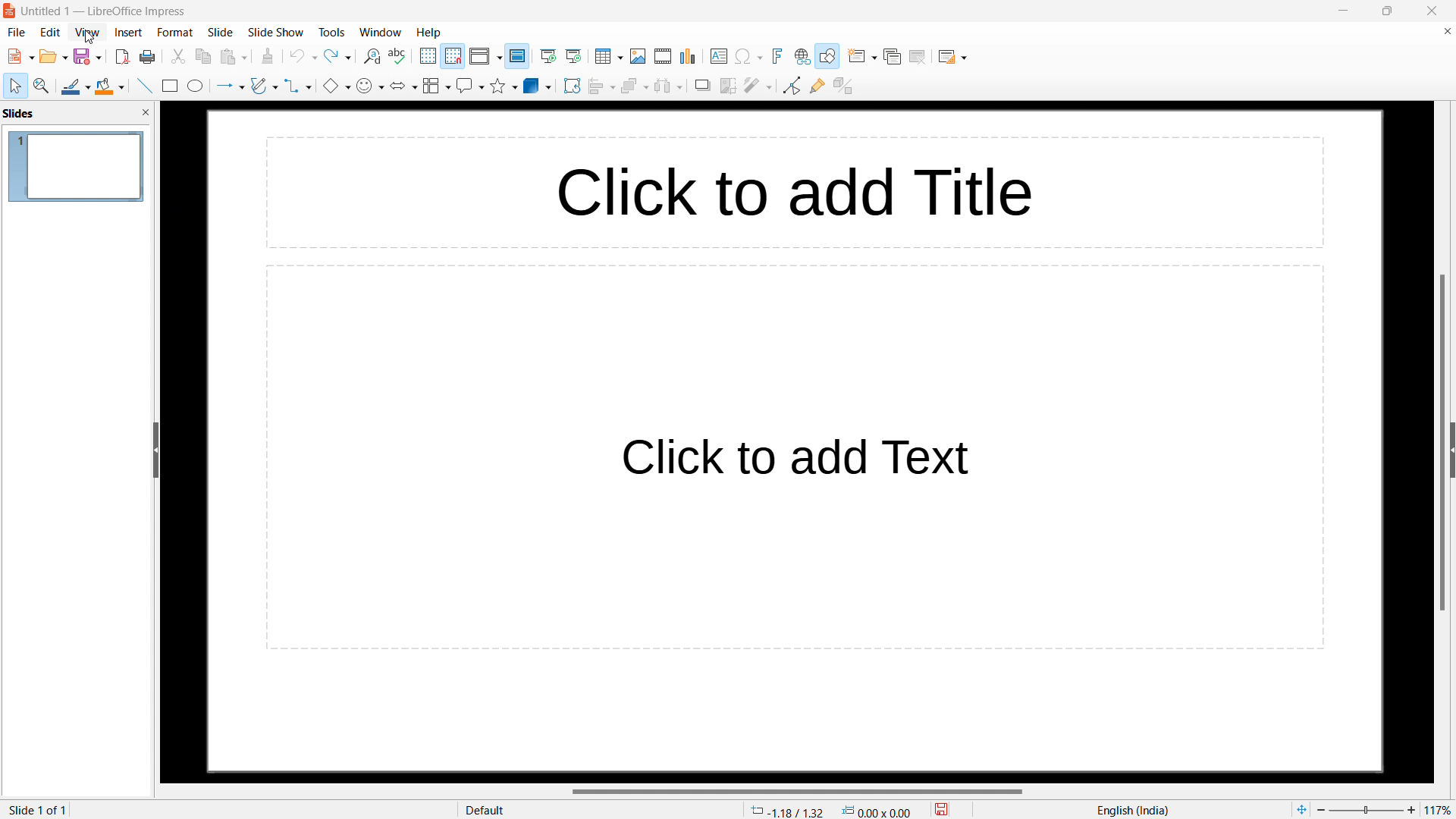 Image resolution: width=1456 pixels, height=819 pixels. Describe the element at coordinates (729, 86) in the screenshot. I see `crop` at that location.